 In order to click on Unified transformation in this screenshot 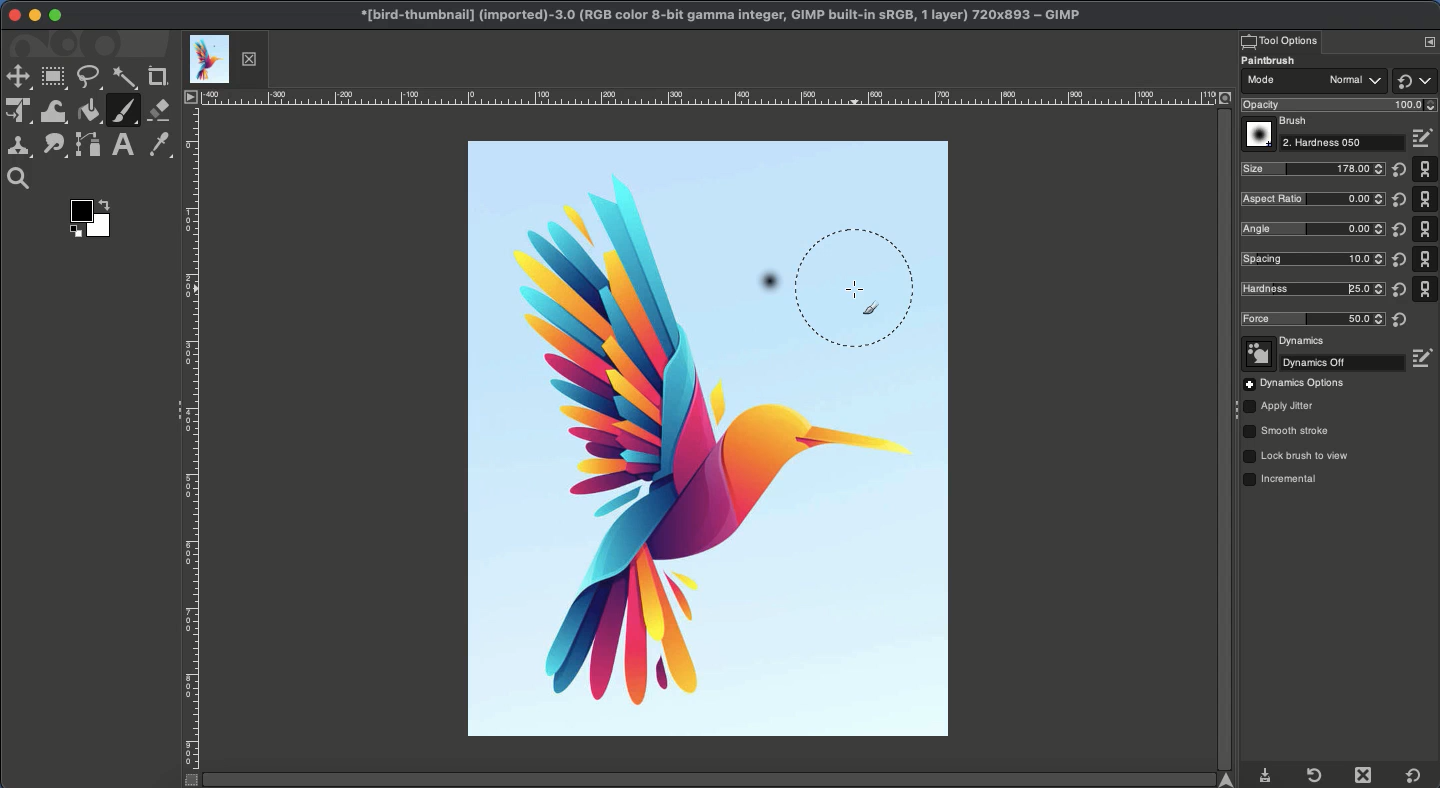, I will do `click(19, 110)`.